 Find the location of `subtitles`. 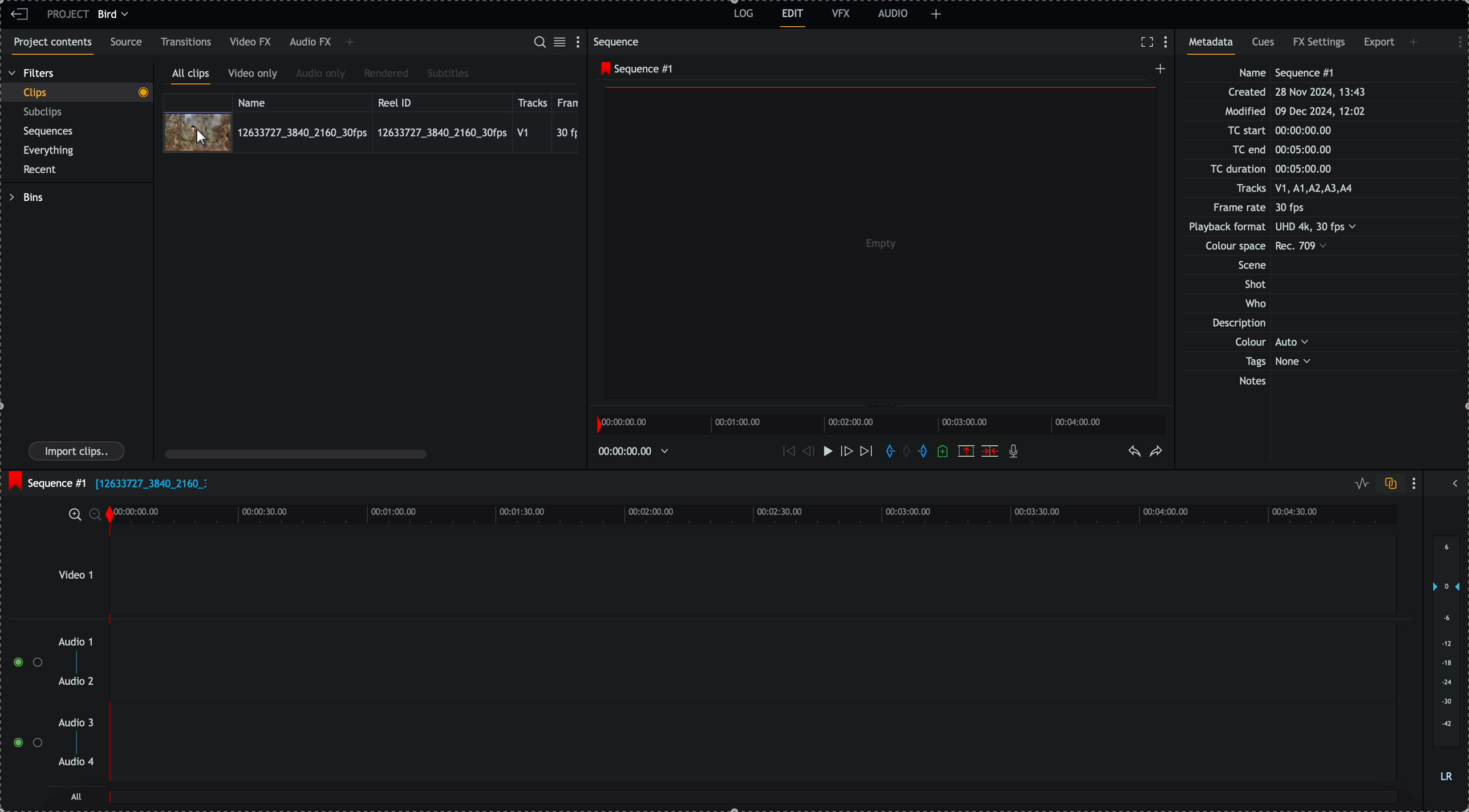

subtitles is located at coordinates (448, 74).